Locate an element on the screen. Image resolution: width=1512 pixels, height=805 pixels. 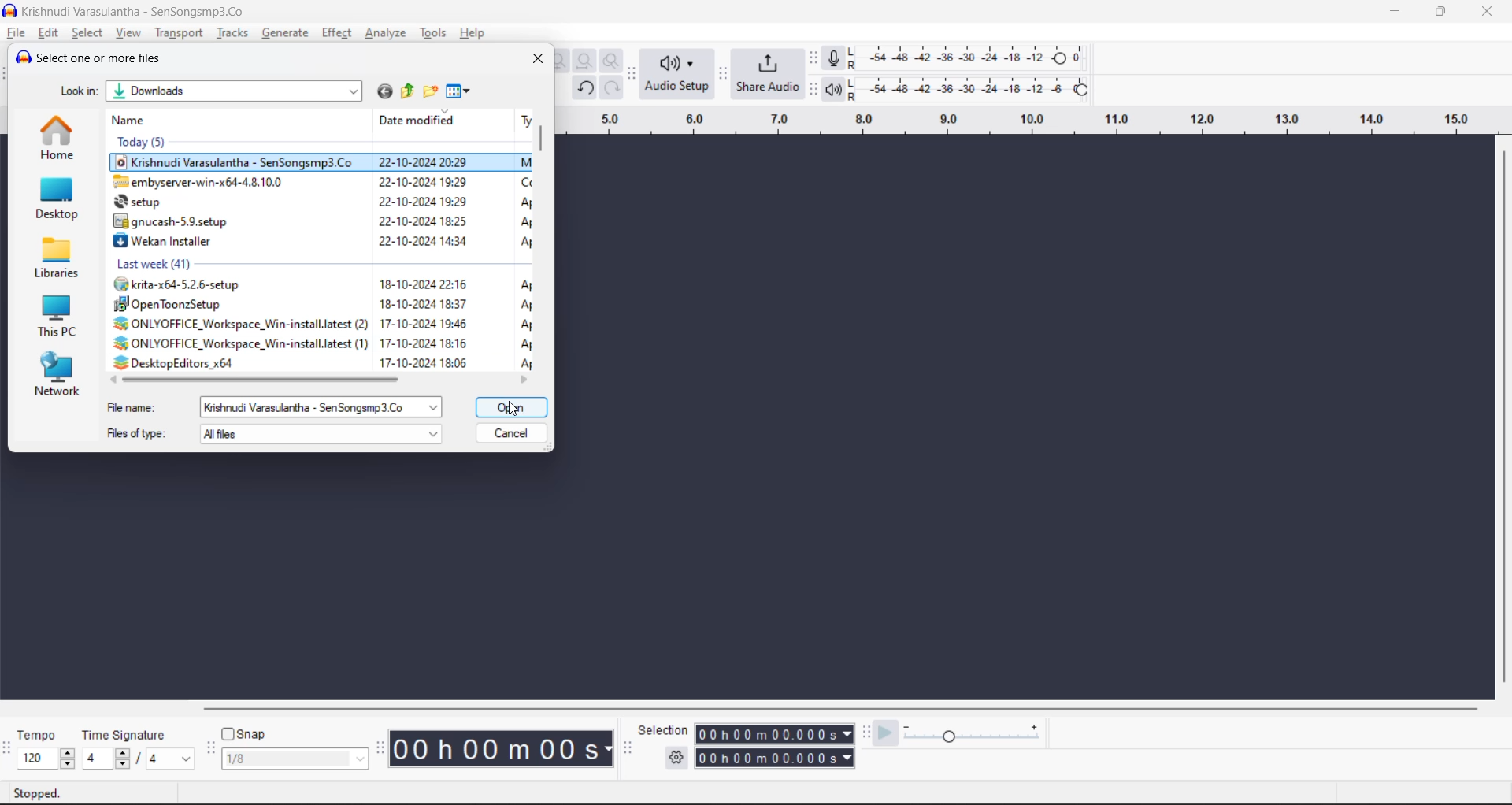
J Wekan Installer 22-10-2024 14:34 A is located at coordinates (322, 239).